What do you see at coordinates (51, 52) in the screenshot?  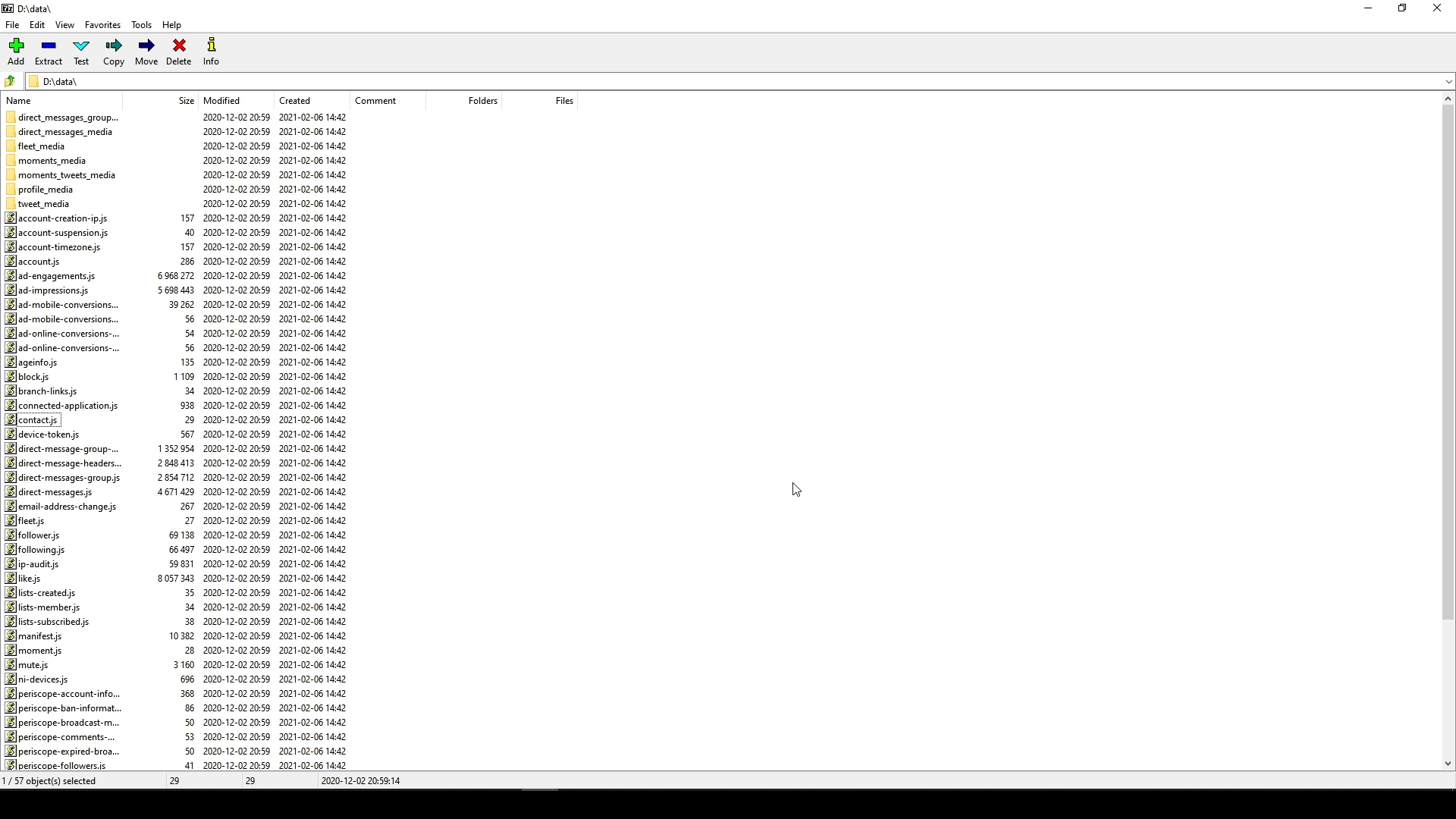 I see `Extract` at bounding box center [51, 52].